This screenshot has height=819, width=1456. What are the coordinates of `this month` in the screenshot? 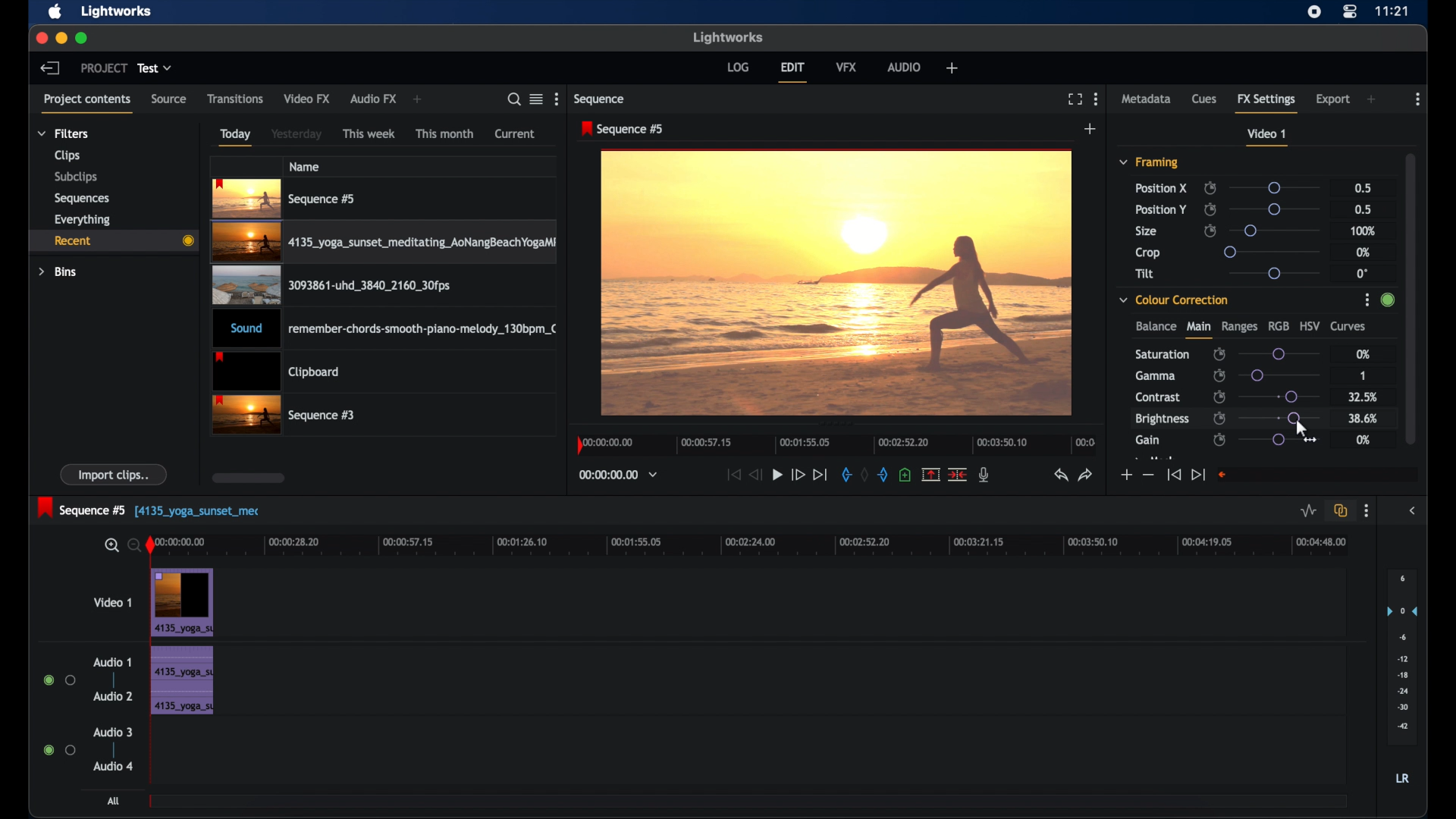 It's located at (444, 133).